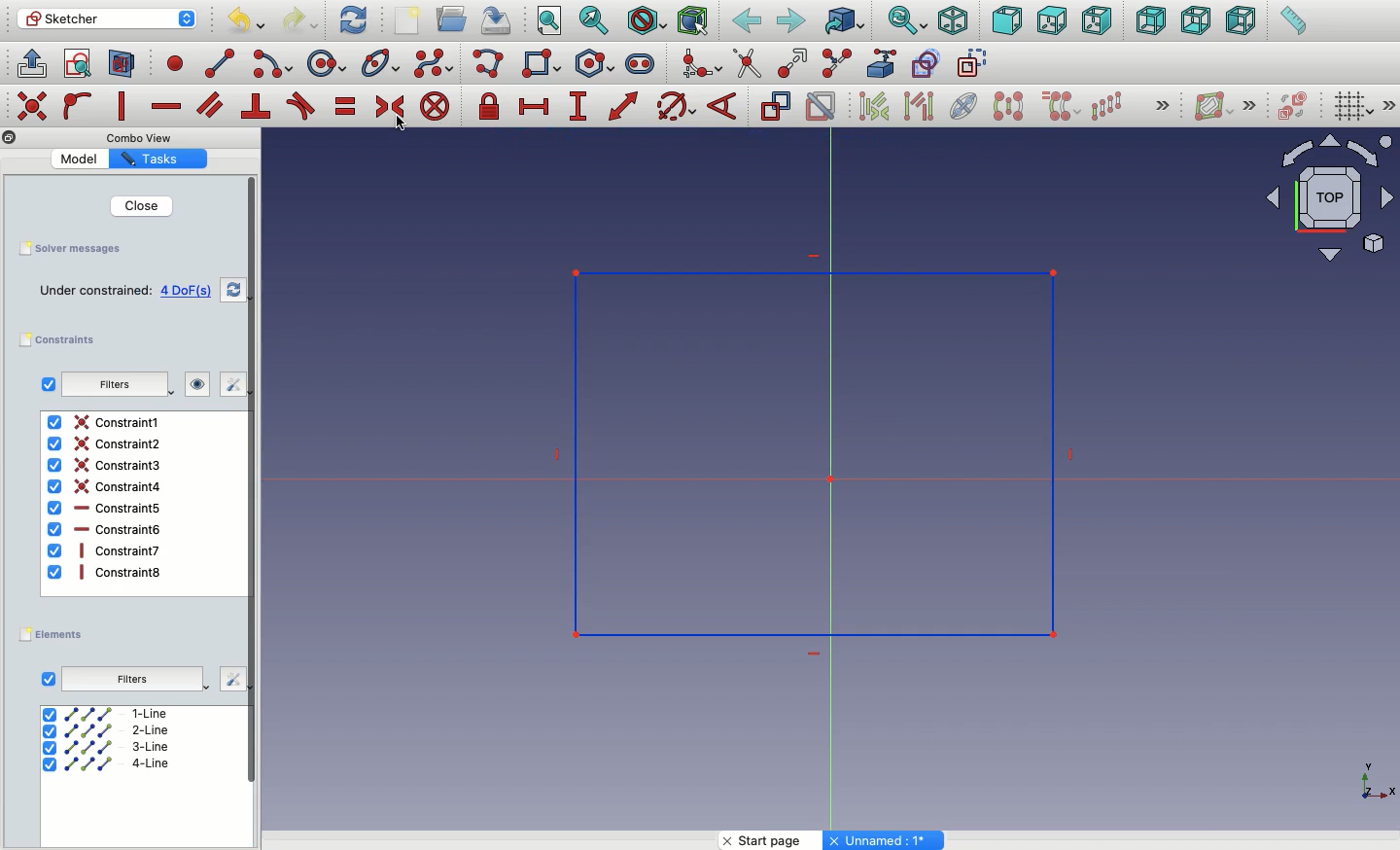  I want to click on Expand, so click(1250, 105).